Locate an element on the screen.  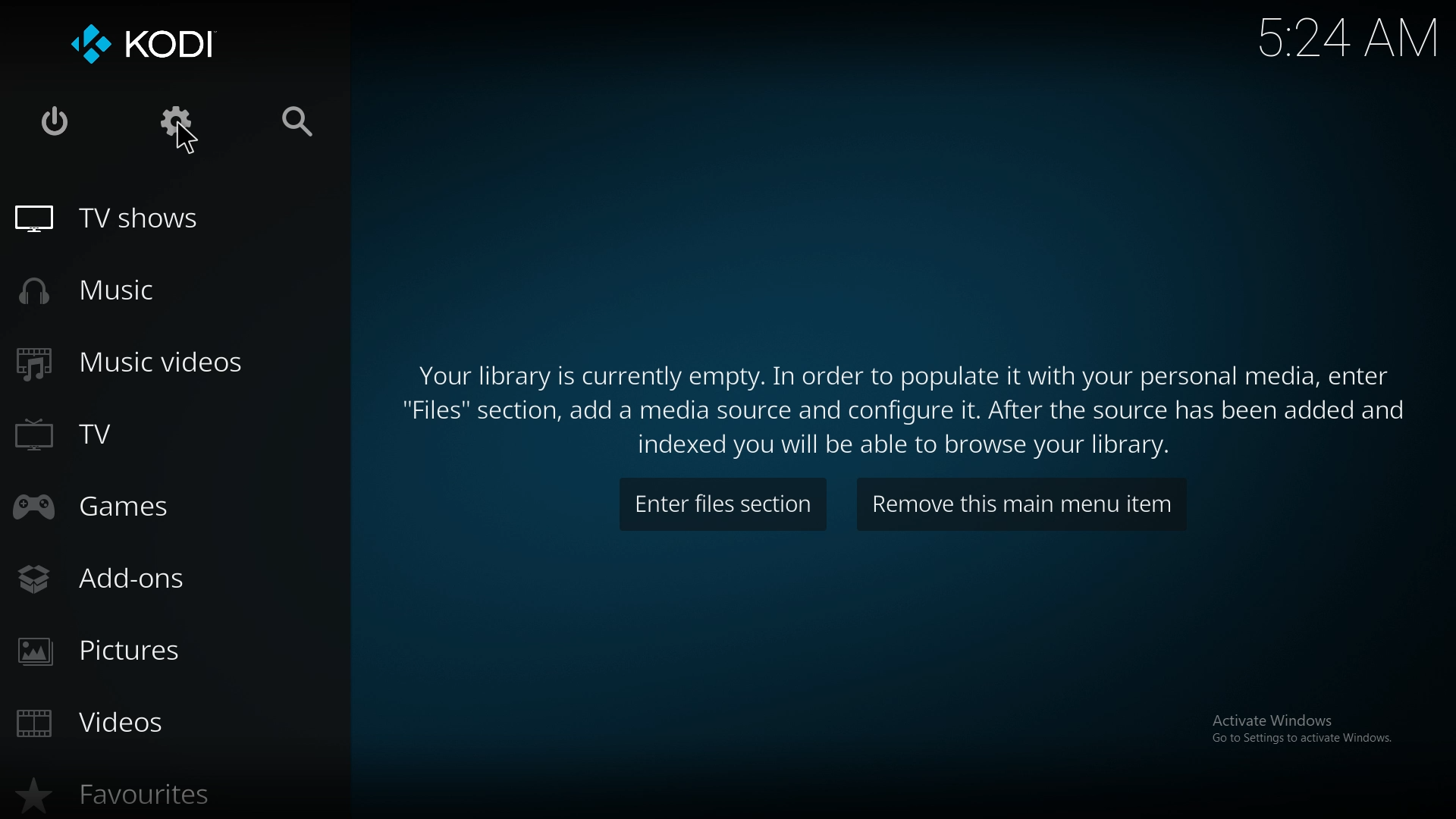
favourites is located at coordinates (130, 795).